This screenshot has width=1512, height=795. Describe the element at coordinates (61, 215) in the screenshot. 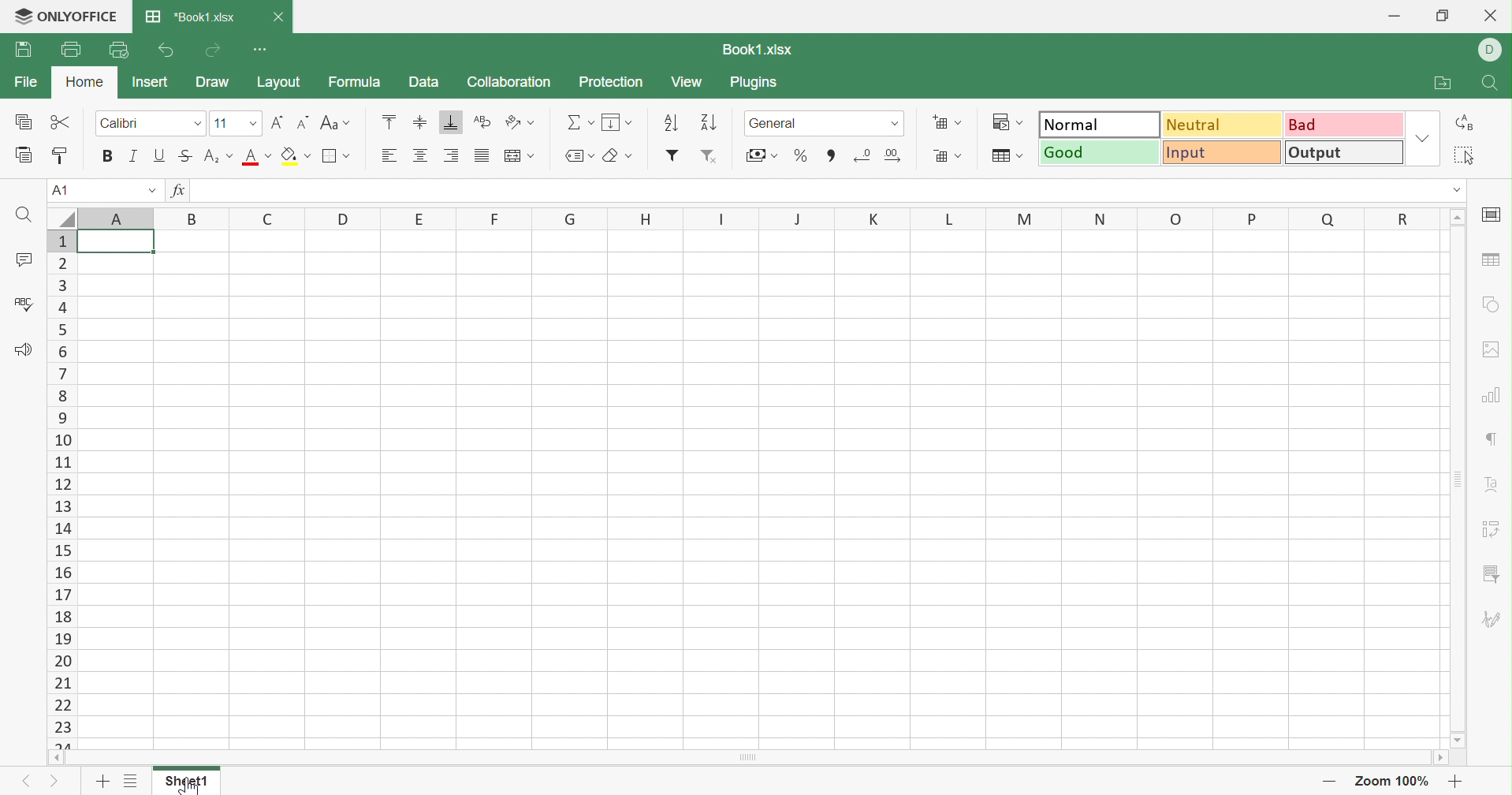

I see `Select all rows and colums` at that location.